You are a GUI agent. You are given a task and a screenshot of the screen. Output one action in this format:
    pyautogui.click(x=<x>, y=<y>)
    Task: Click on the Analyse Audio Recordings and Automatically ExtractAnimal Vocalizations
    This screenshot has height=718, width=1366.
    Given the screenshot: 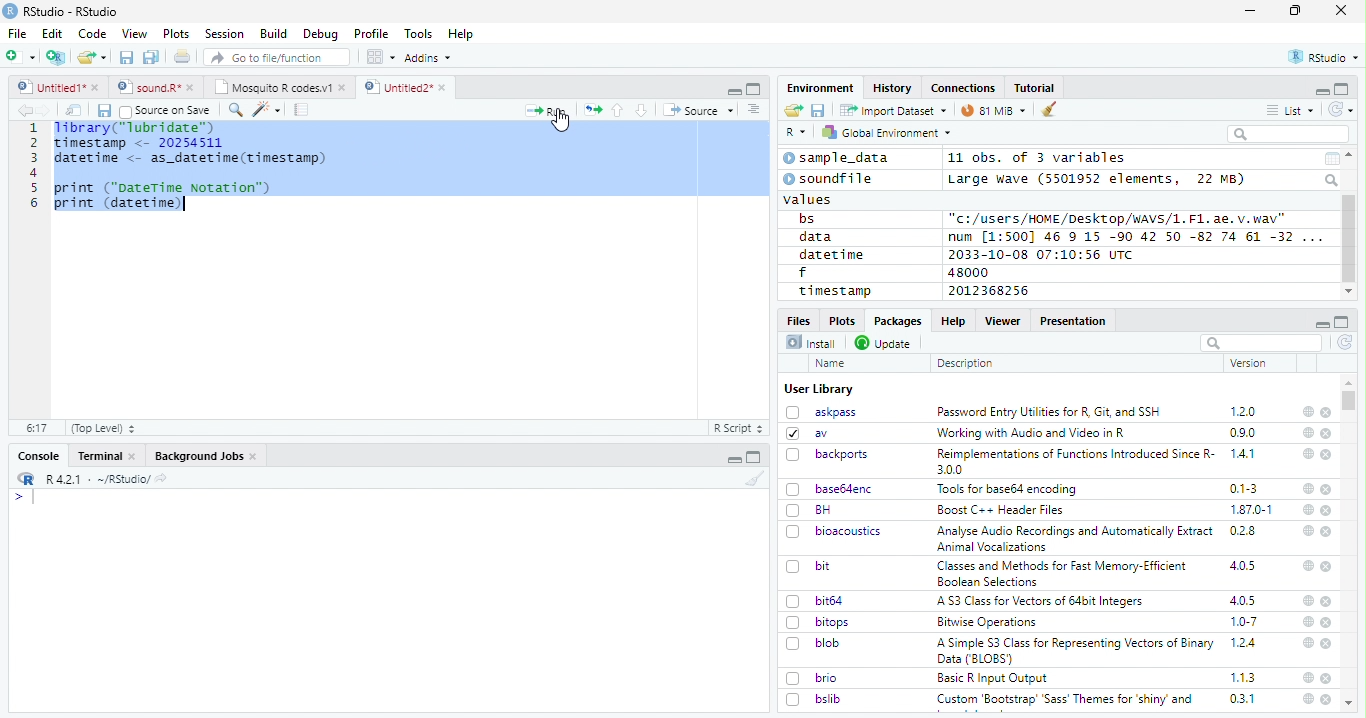 What is the action you would take?
    pyautogui.click(x=1071, y=538)
    